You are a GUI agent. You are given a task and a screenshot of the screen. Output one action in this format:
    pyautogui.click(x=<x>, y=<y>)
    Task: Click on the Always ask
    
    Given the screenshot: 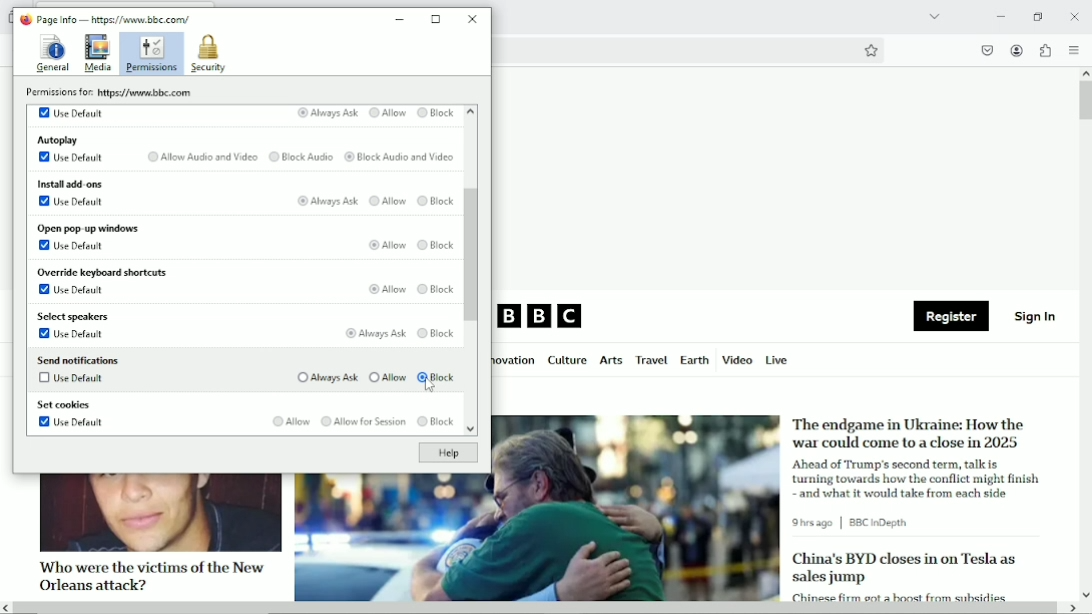 What is the action you would take?
    pyautogui.click(x=327, y=202)
    